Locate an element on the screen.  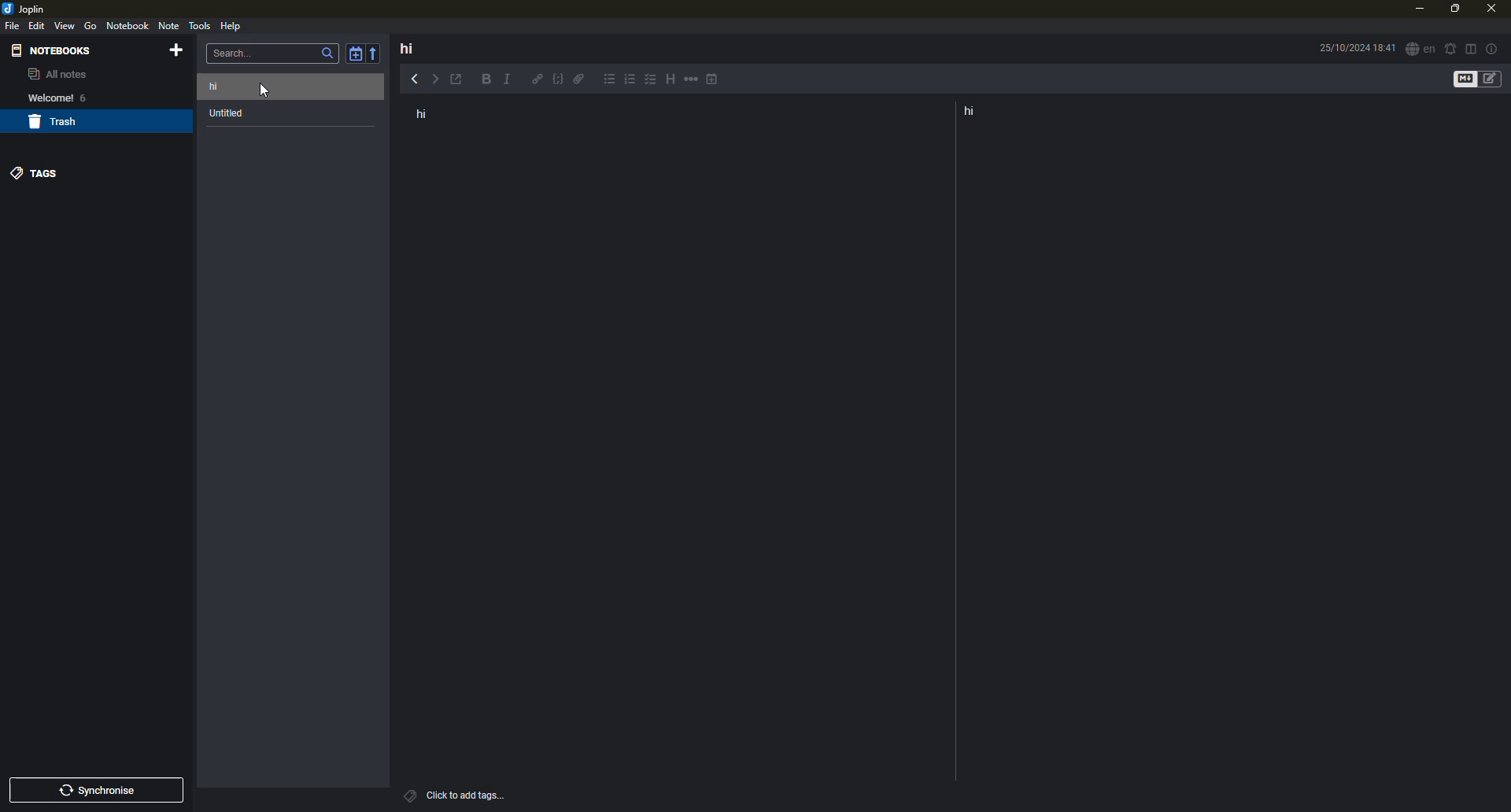
tags is located at coordinates (38, 172).